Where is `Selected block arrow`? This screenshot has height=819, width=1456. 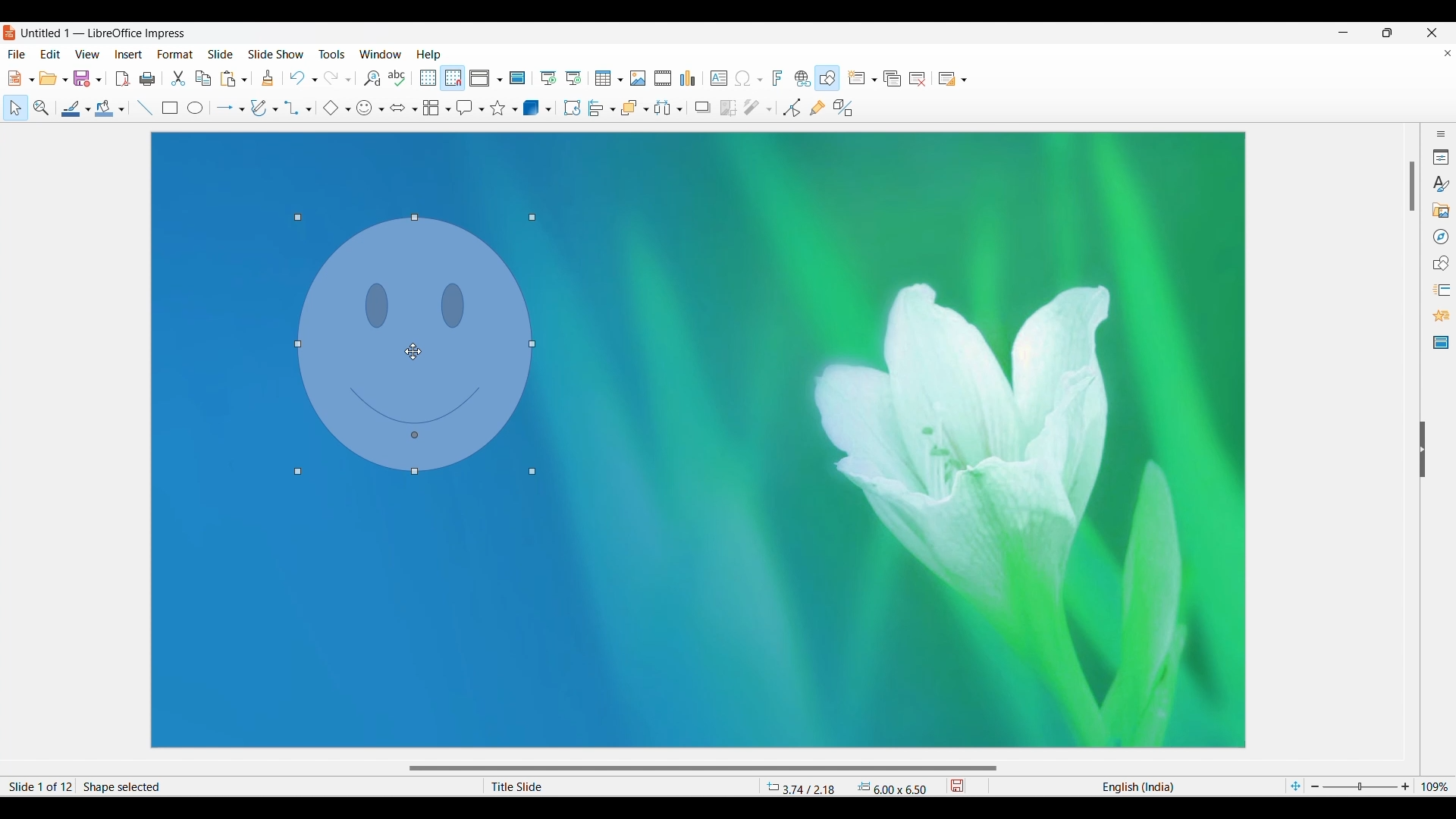 Selected block arrow is located at coordinates (398, 107).